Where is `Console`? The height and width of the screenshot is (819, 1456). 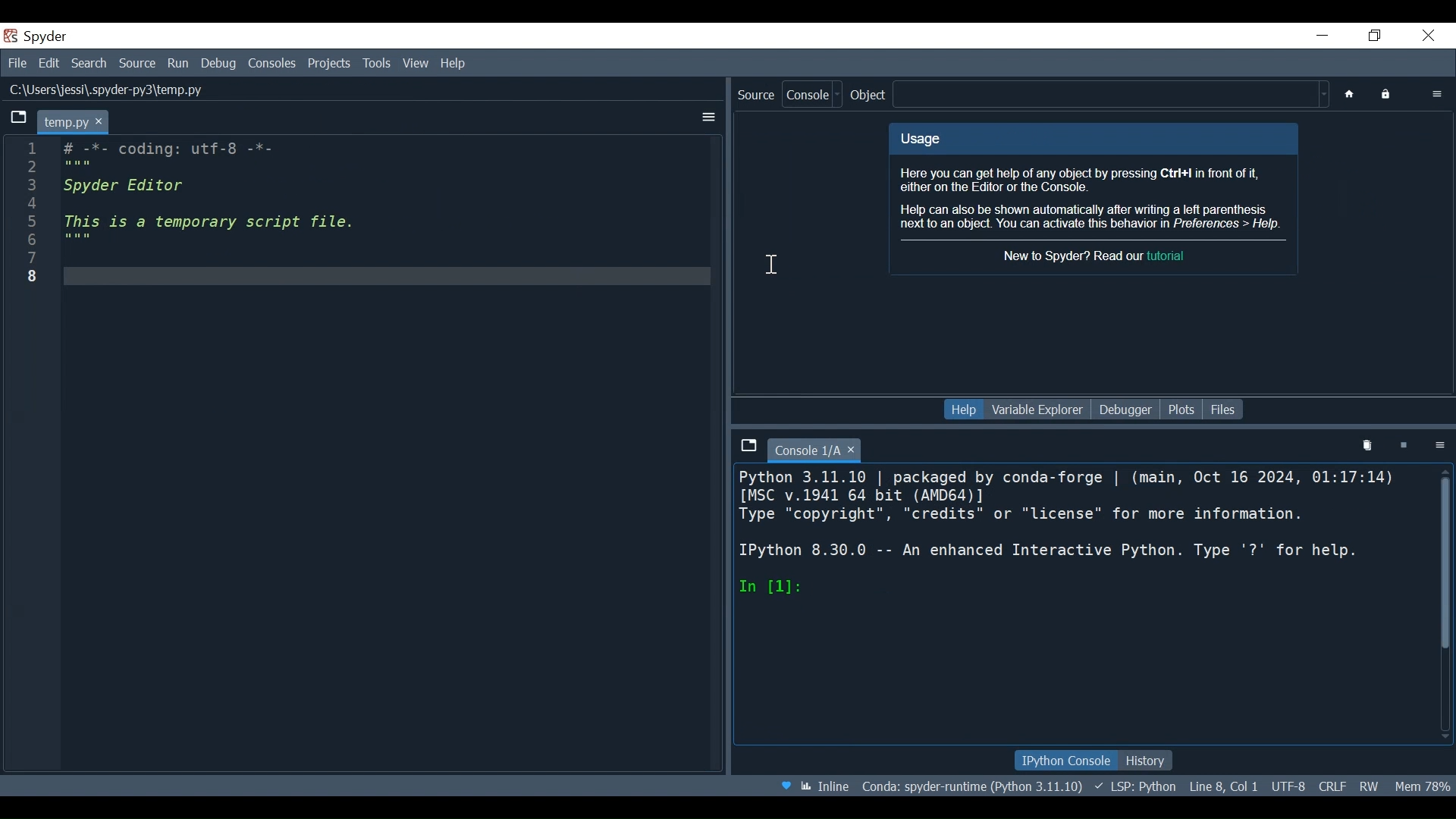
Console is located at coordinates (272, 64).